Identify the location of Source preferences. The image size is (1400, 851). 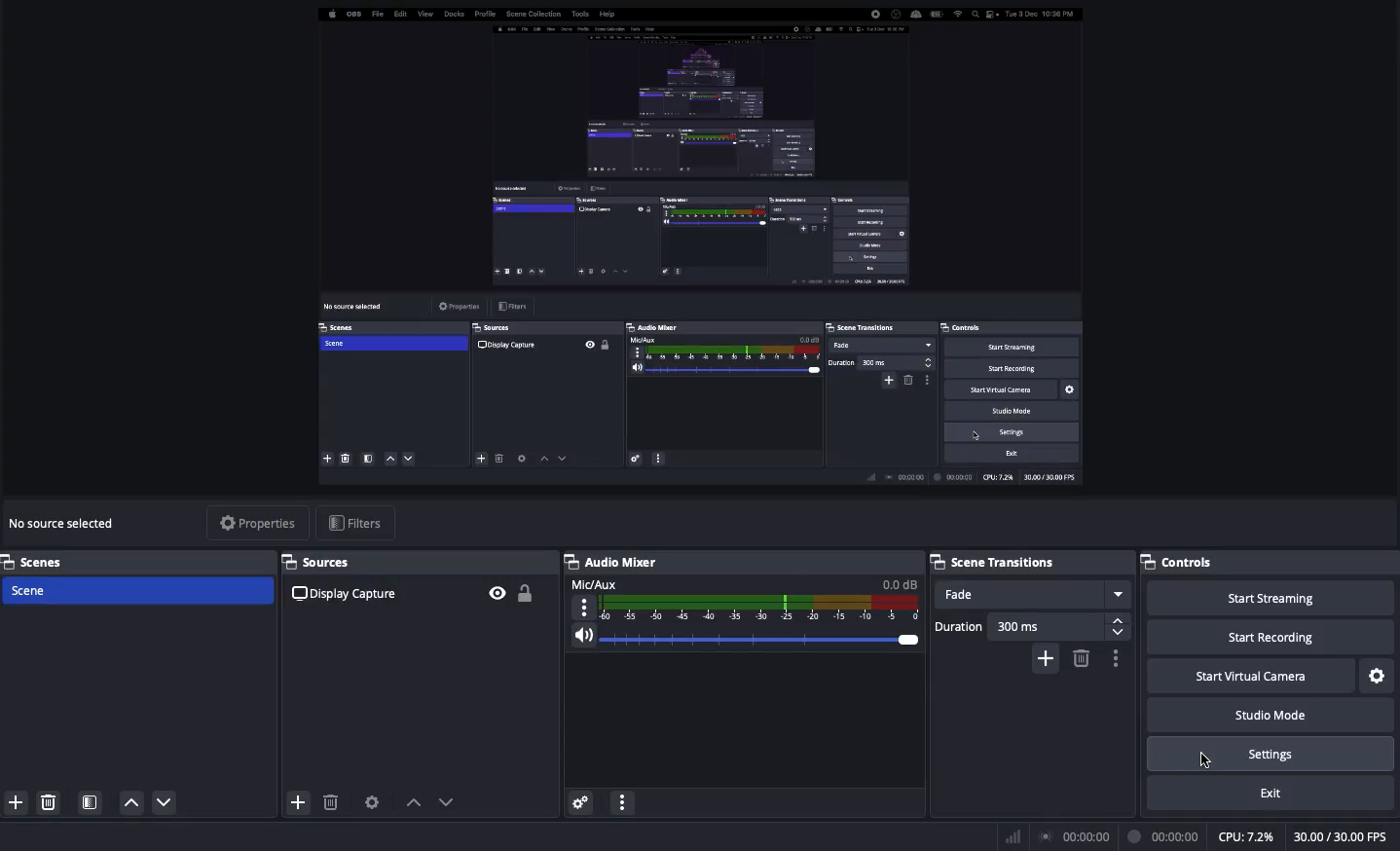
(370, 802).